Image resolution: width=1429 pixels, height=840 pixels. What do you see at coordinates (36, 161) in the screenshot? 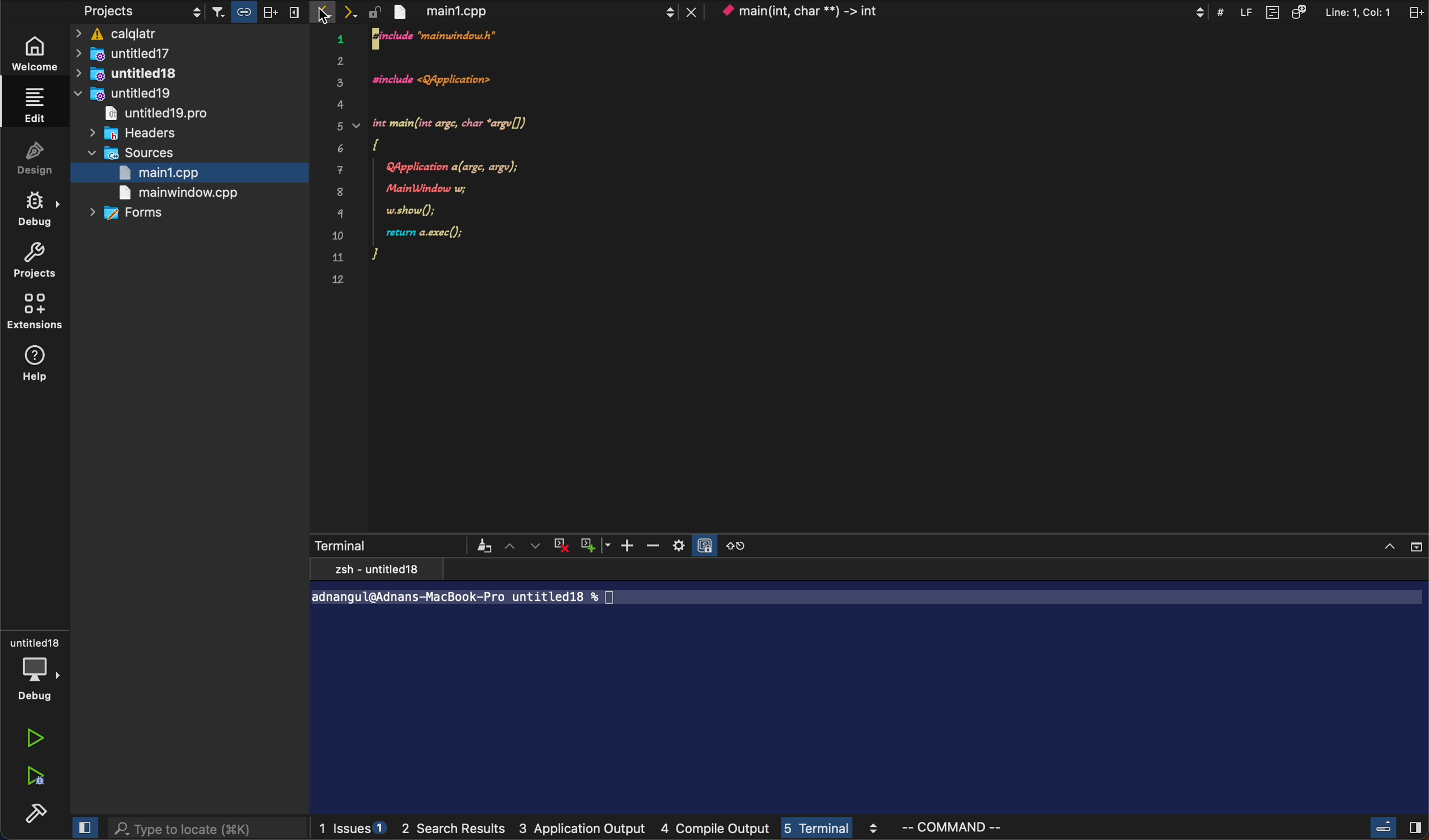
I see `design` at bounding box center [36, 161].